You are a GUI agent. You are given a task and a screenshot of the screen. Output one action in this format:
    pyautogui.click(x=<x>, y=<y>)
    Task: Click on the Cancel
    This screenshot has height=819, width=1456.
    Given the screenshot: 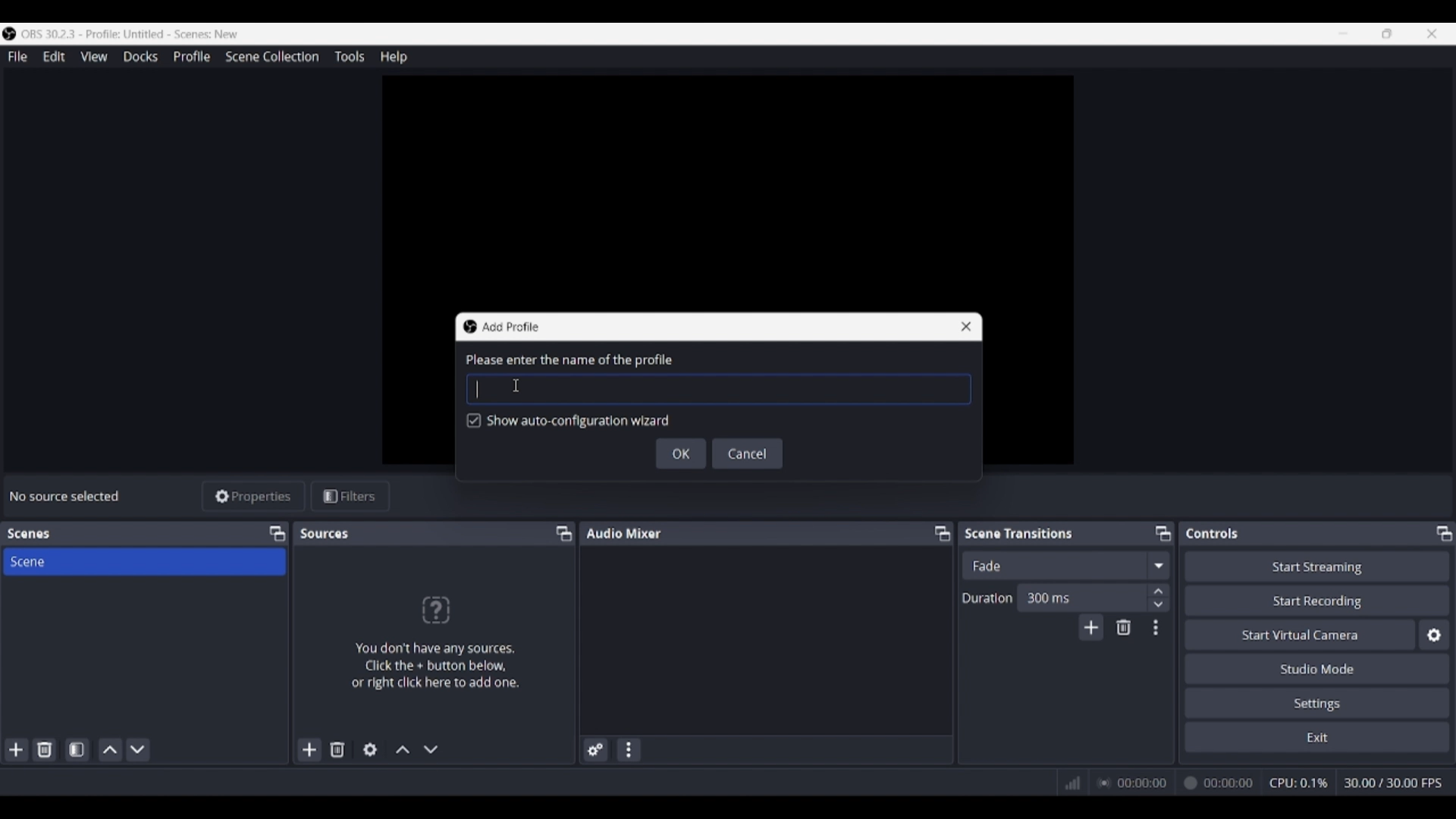 What is the action you would take?
    pyautogui.click(x=748, y=453)
    